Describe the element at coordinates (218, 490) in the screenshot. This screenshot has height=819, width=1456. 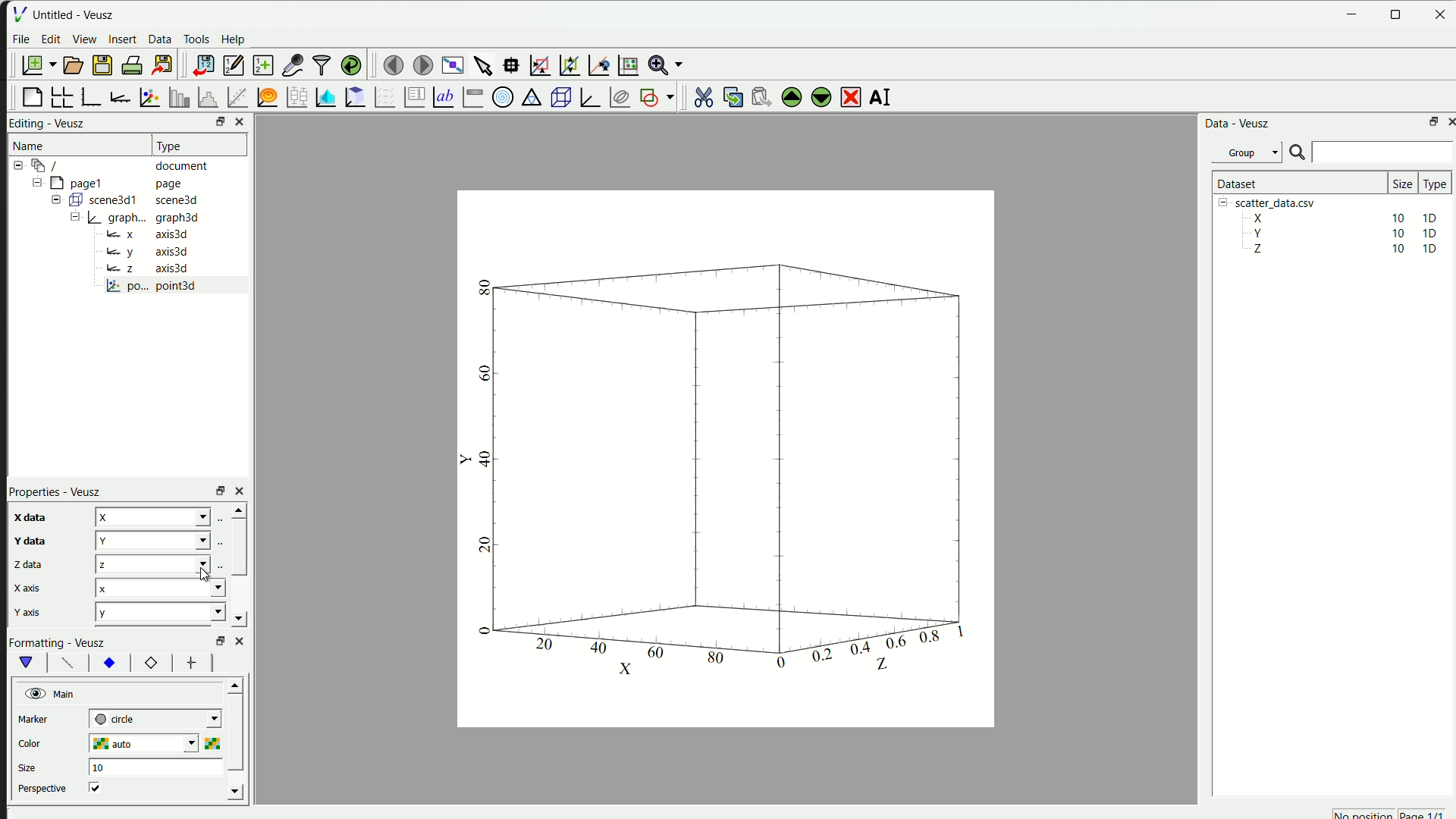
I see `rezise` at that location.